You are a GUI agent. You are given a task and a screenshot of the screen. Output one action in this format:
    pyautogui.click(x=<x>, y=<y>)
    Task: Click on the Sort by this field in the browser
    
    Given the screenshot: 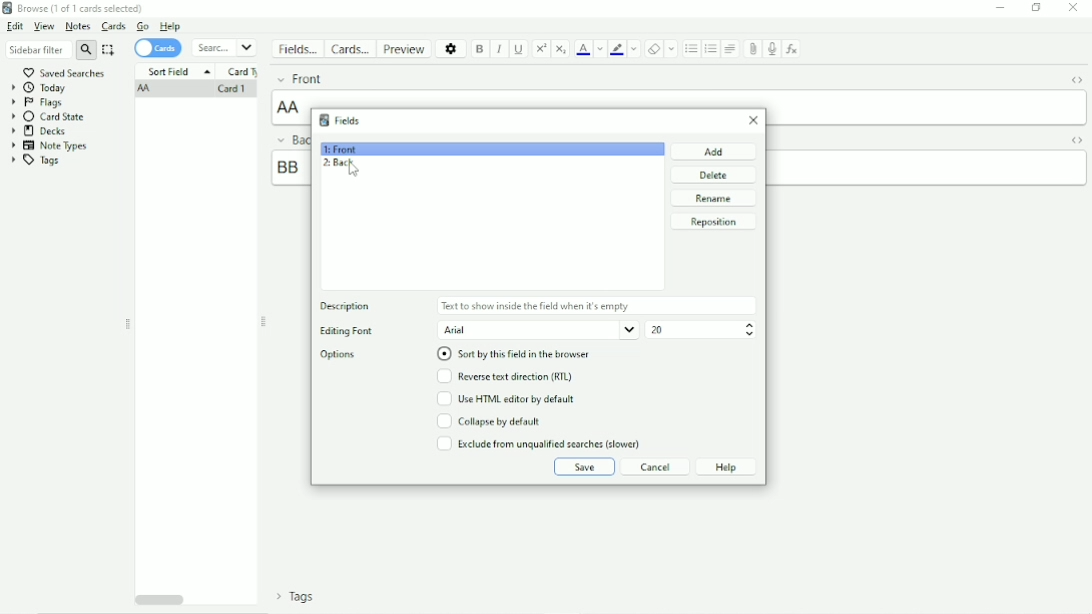 What is the action you would take?
    pyautogui.click(x=516, y=354)
    